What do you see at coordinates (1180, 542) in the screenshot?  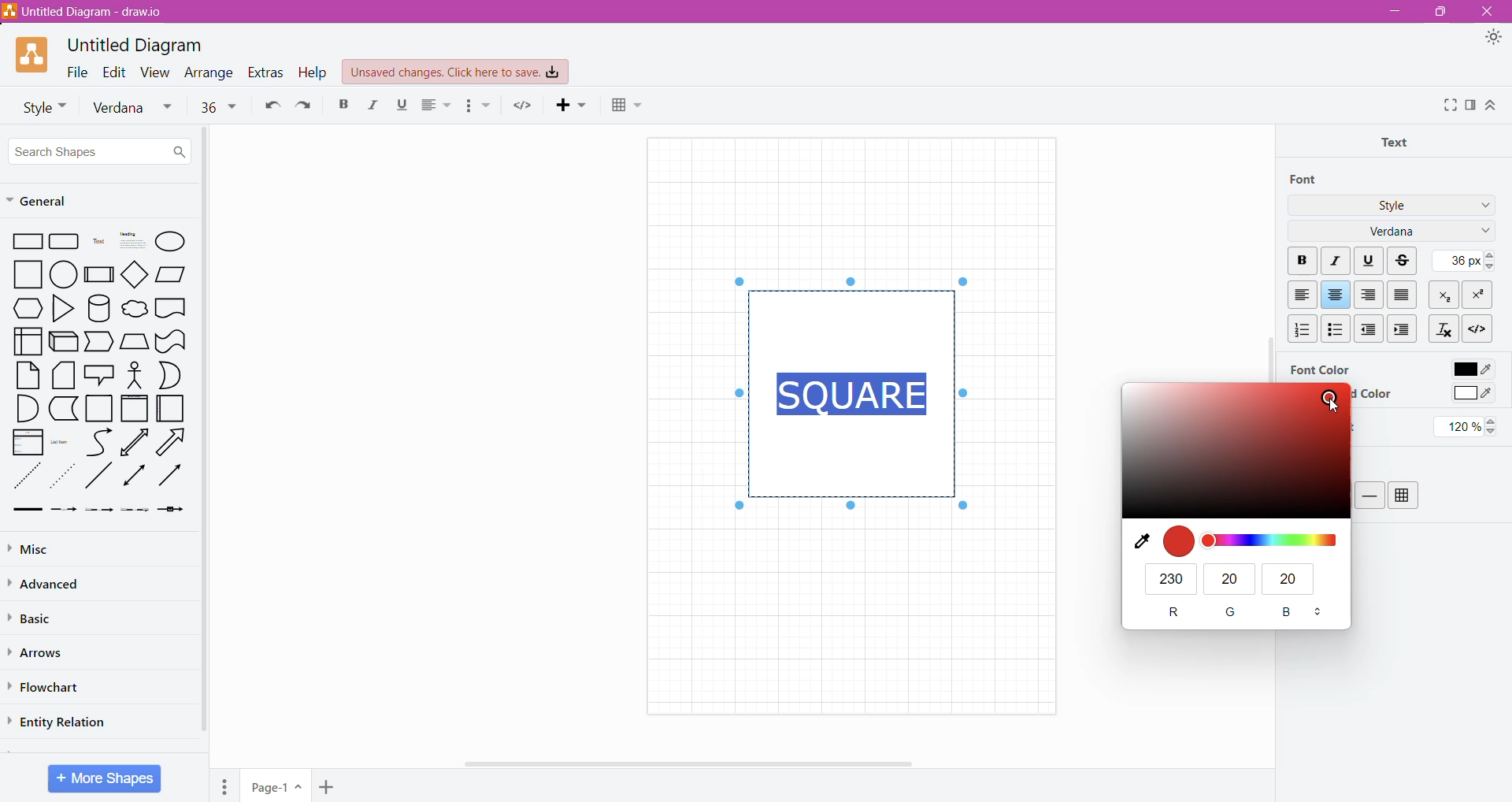 I see `red color` at bounding box center [1180, 542].